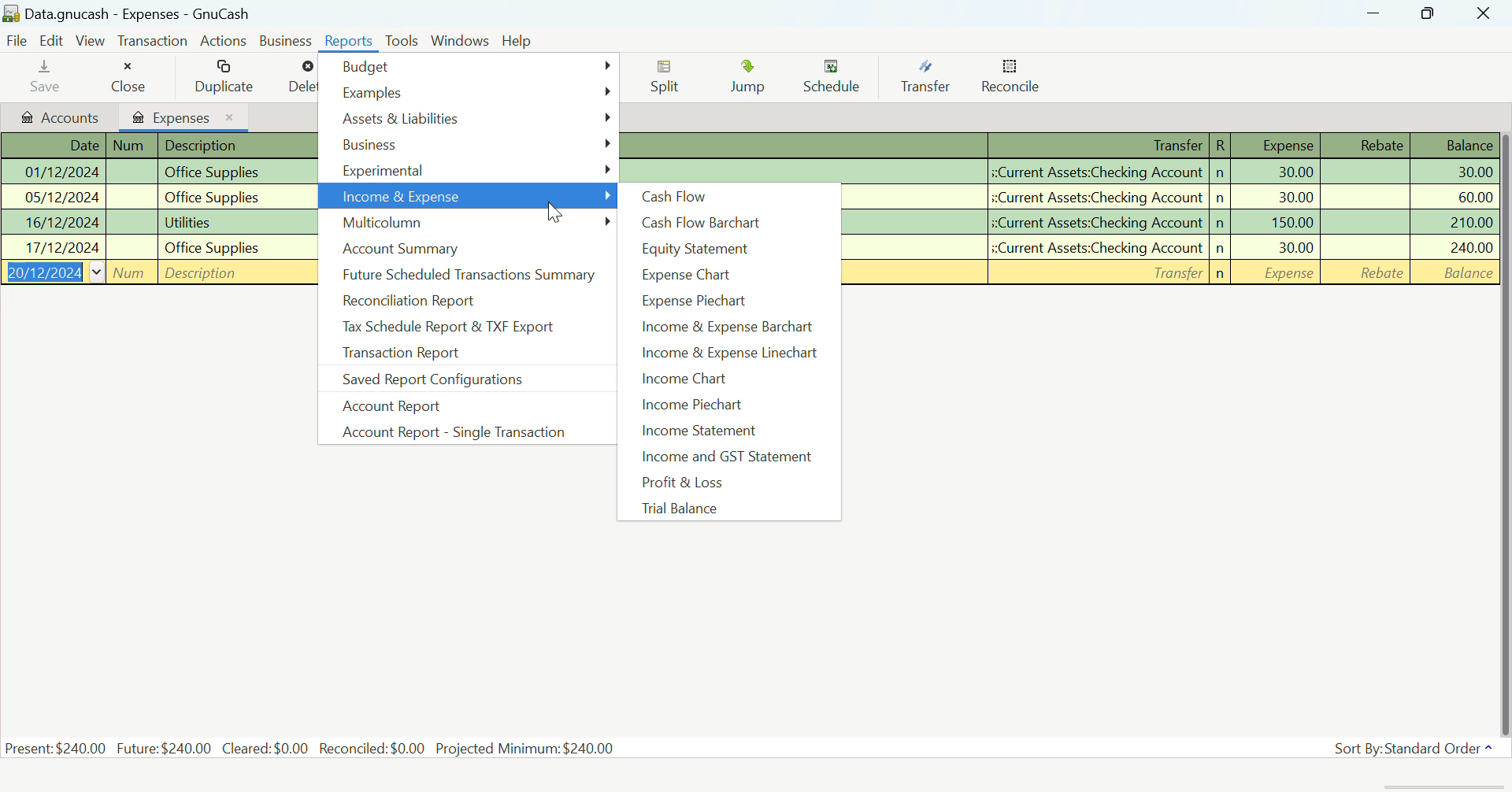 The image size is (1512, 792). Describe the element at coordinates (726, 224) in the screenshot. I see `Cash Flow Barchart` at that location.